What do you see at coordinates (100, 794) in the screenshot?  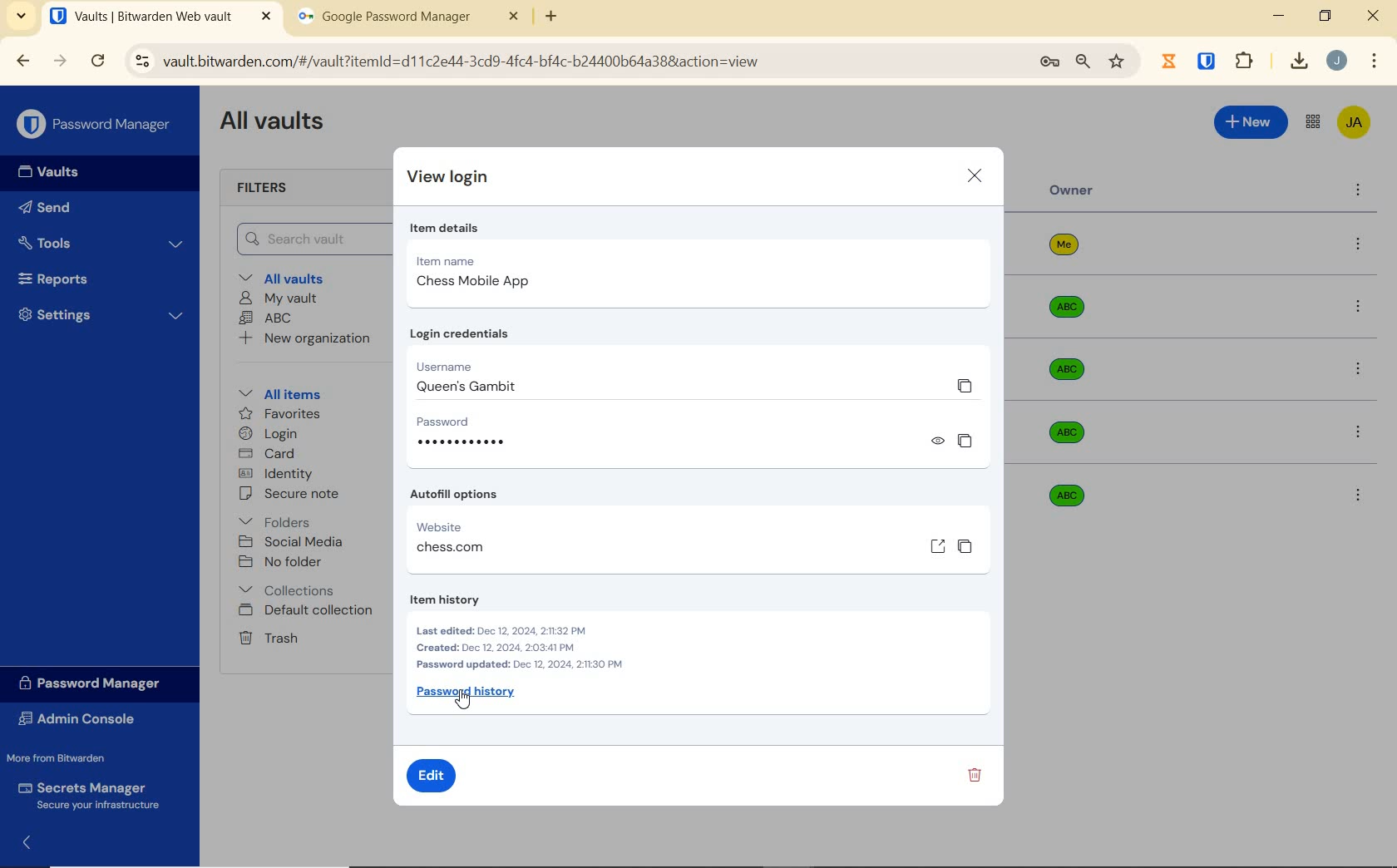 I see `Secrets Manager` at bounding box center [100, 794].